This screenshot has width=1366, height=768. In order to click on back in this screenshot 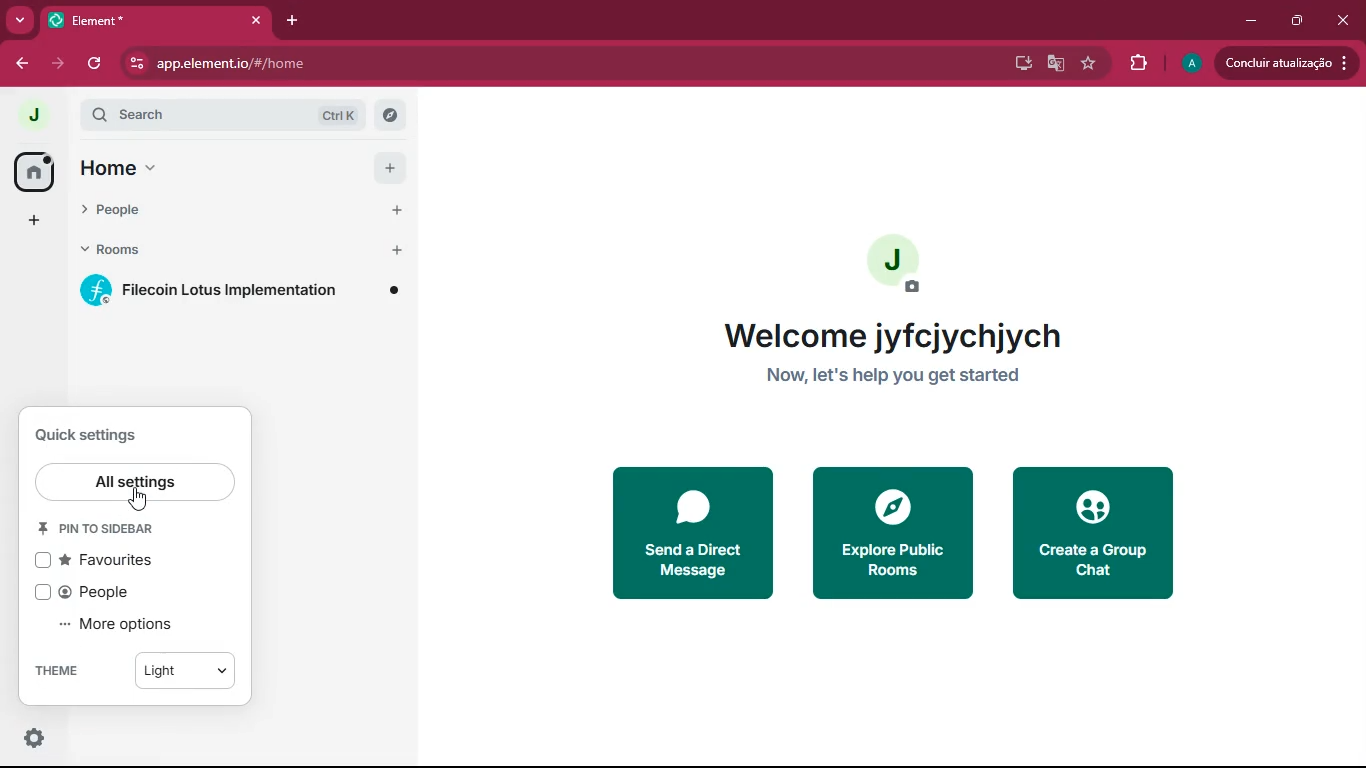, I will do `click(19, 66)`.